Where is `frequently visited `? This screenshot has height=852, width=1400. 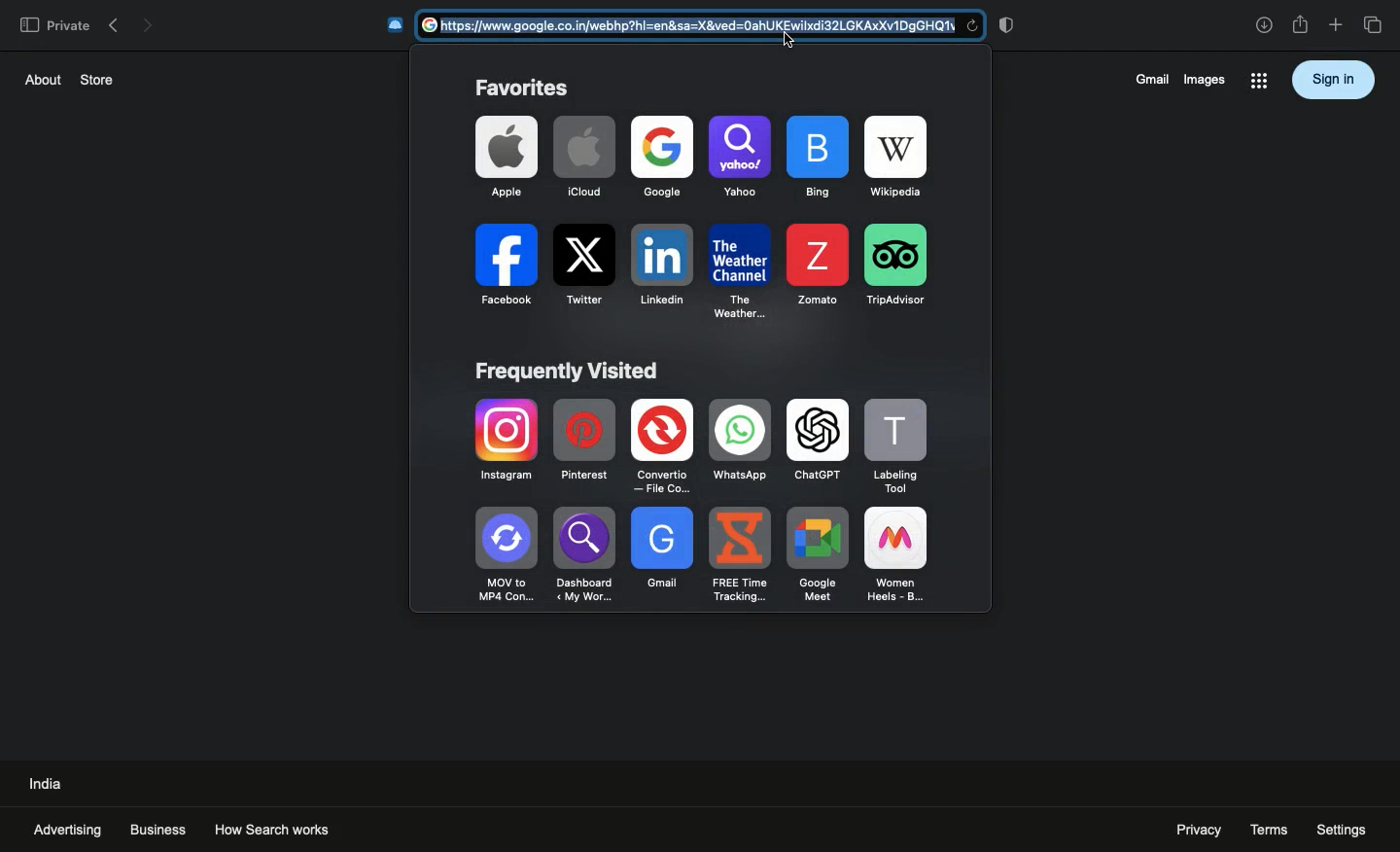
frequently visited  is located at coordinates (569, 372).